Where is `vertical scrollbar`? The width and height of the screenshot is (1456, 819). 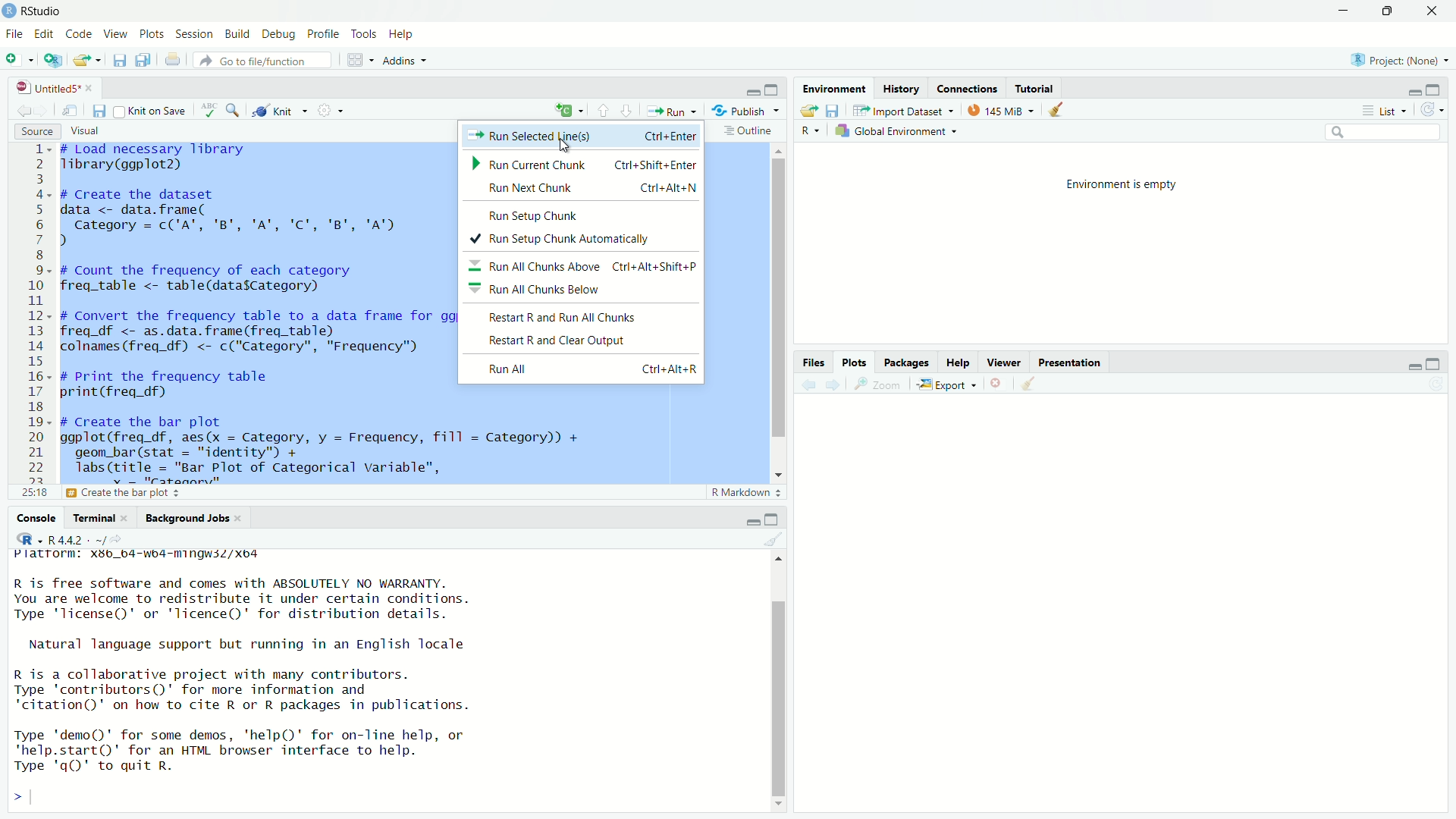
vertical scrollbar is located at coordinates (780, 297).